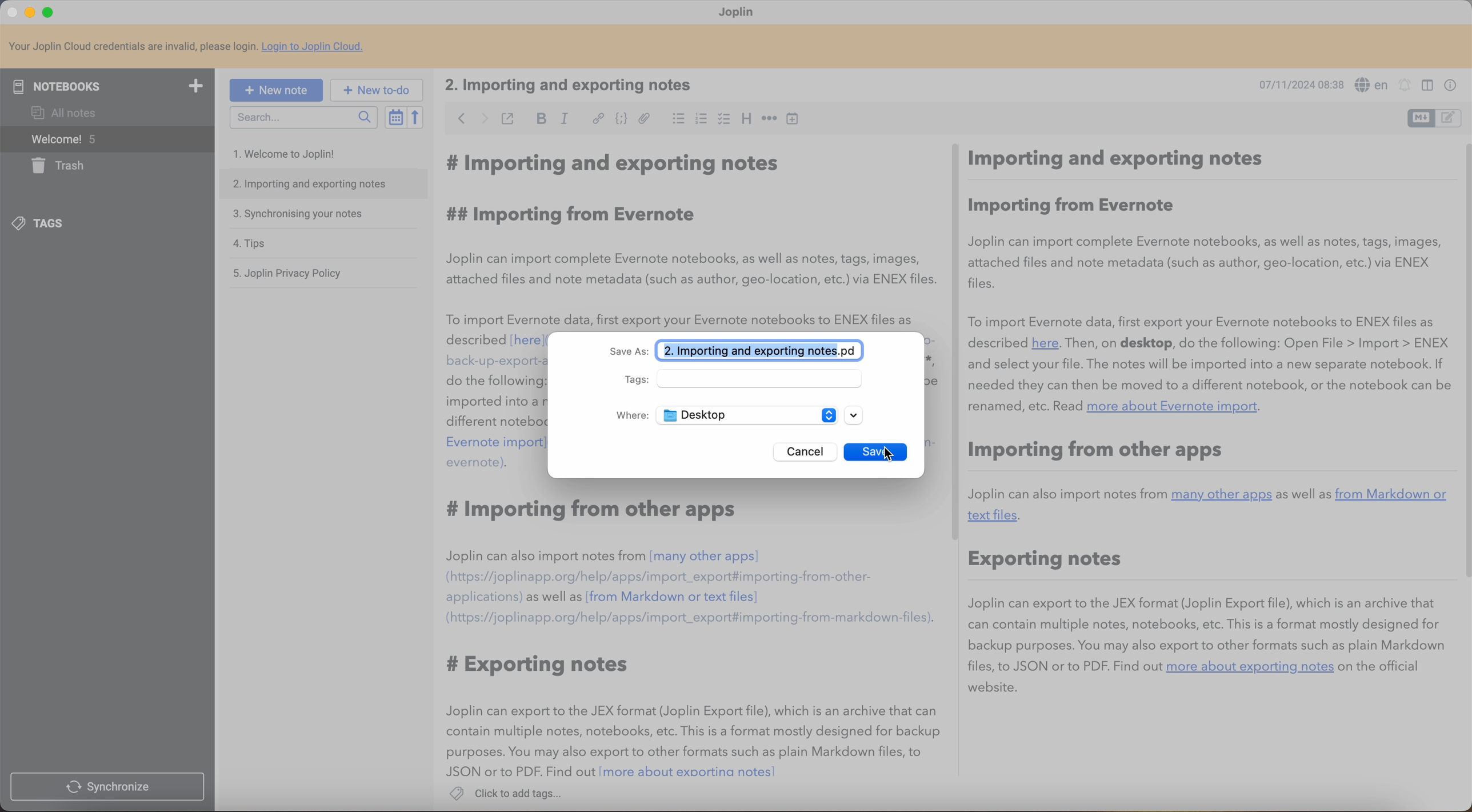  What do you see at coordinates (770, 120) in the screenshot?
I see `horizontal rule` at bounding box center [770, 120].